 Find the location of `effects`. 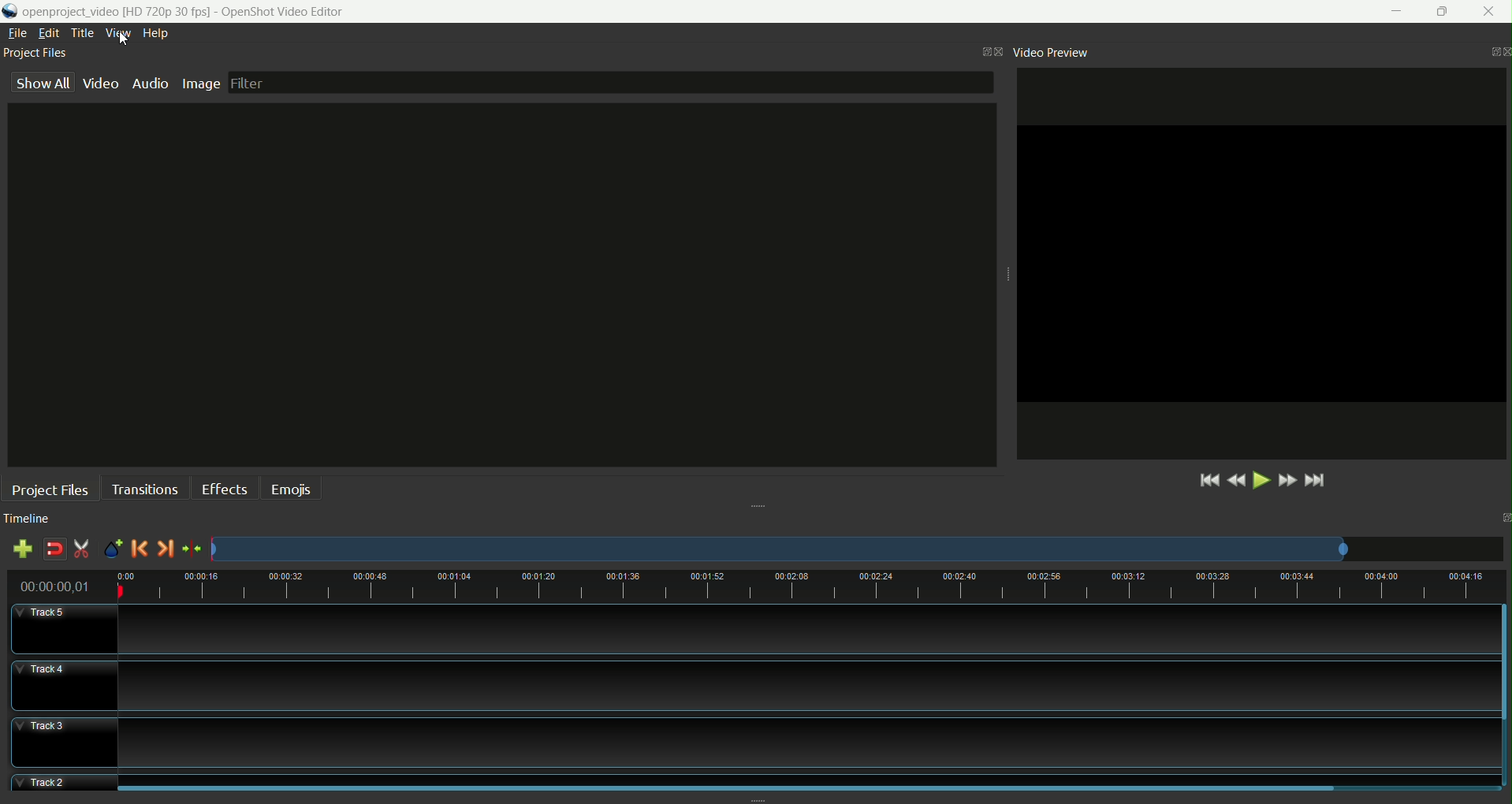

effects is located at coordinates (226, 489).